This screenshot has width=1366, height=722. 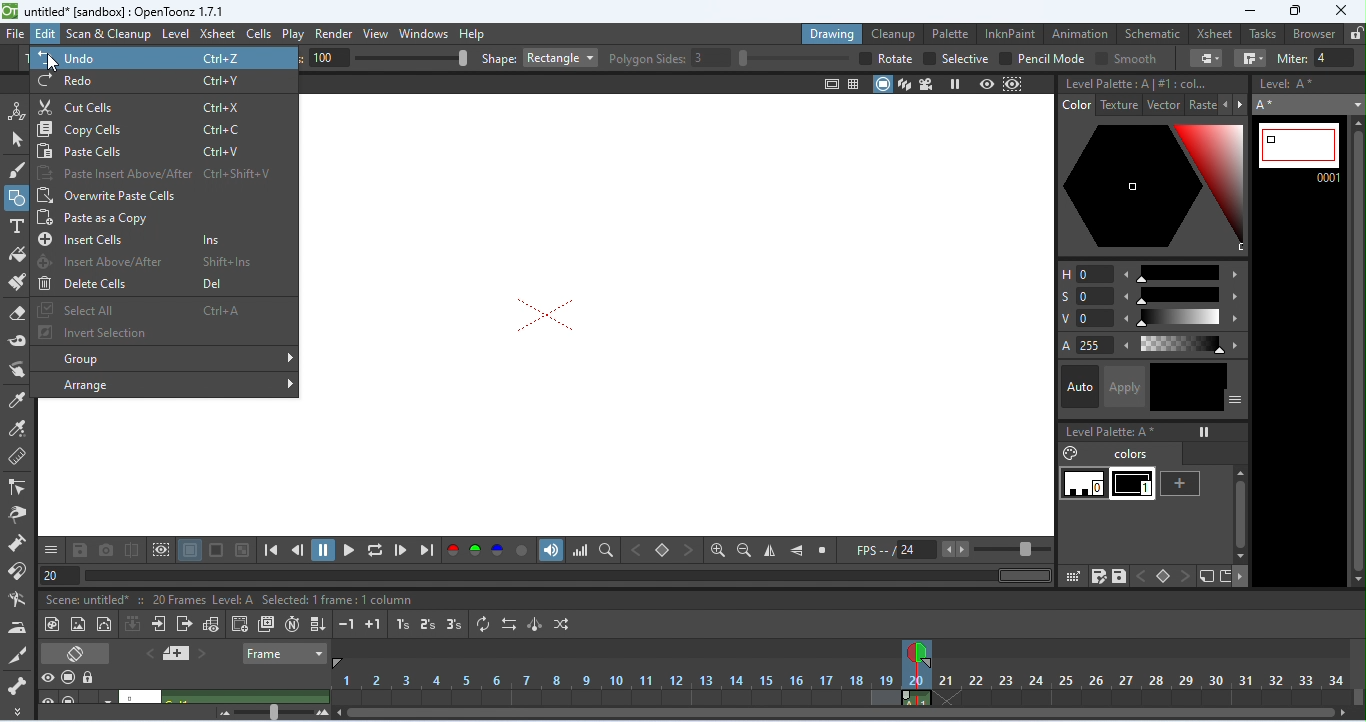 What do you see at coordinates (744, 551) in the screenshot?
I see `zoom out` at bounding box center [744, 551].